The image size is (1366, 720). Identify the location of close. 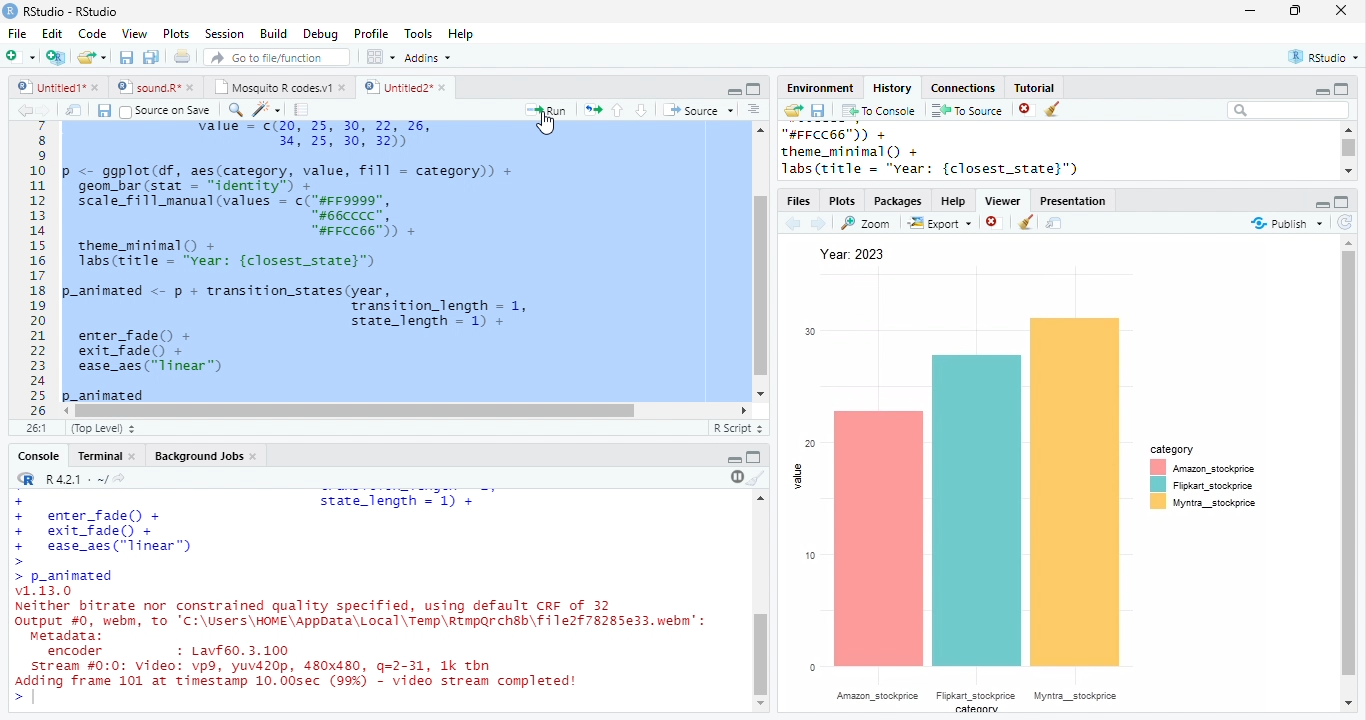
(1341, 10).